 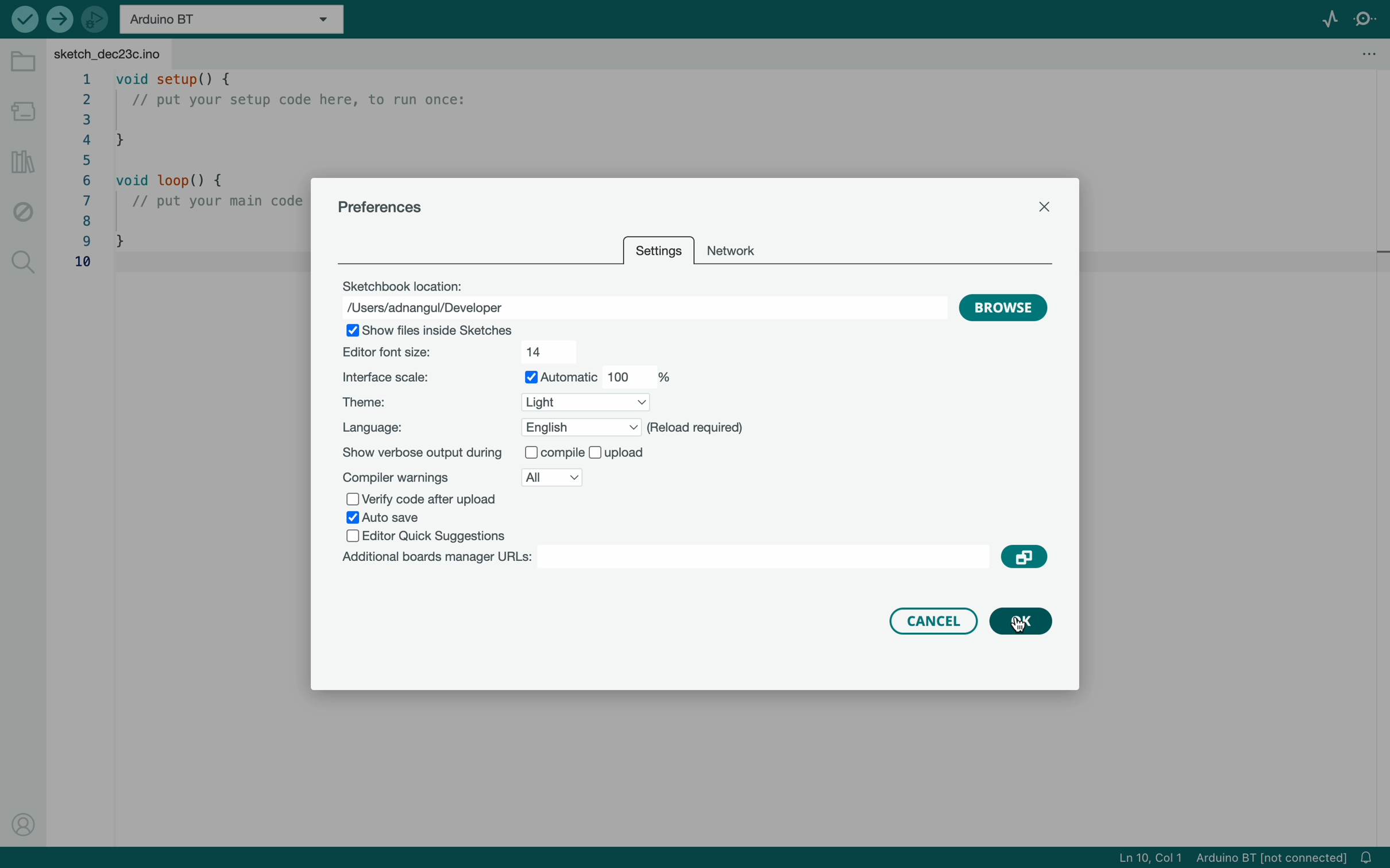 I want to click on show file, so click(x=445, y=331).